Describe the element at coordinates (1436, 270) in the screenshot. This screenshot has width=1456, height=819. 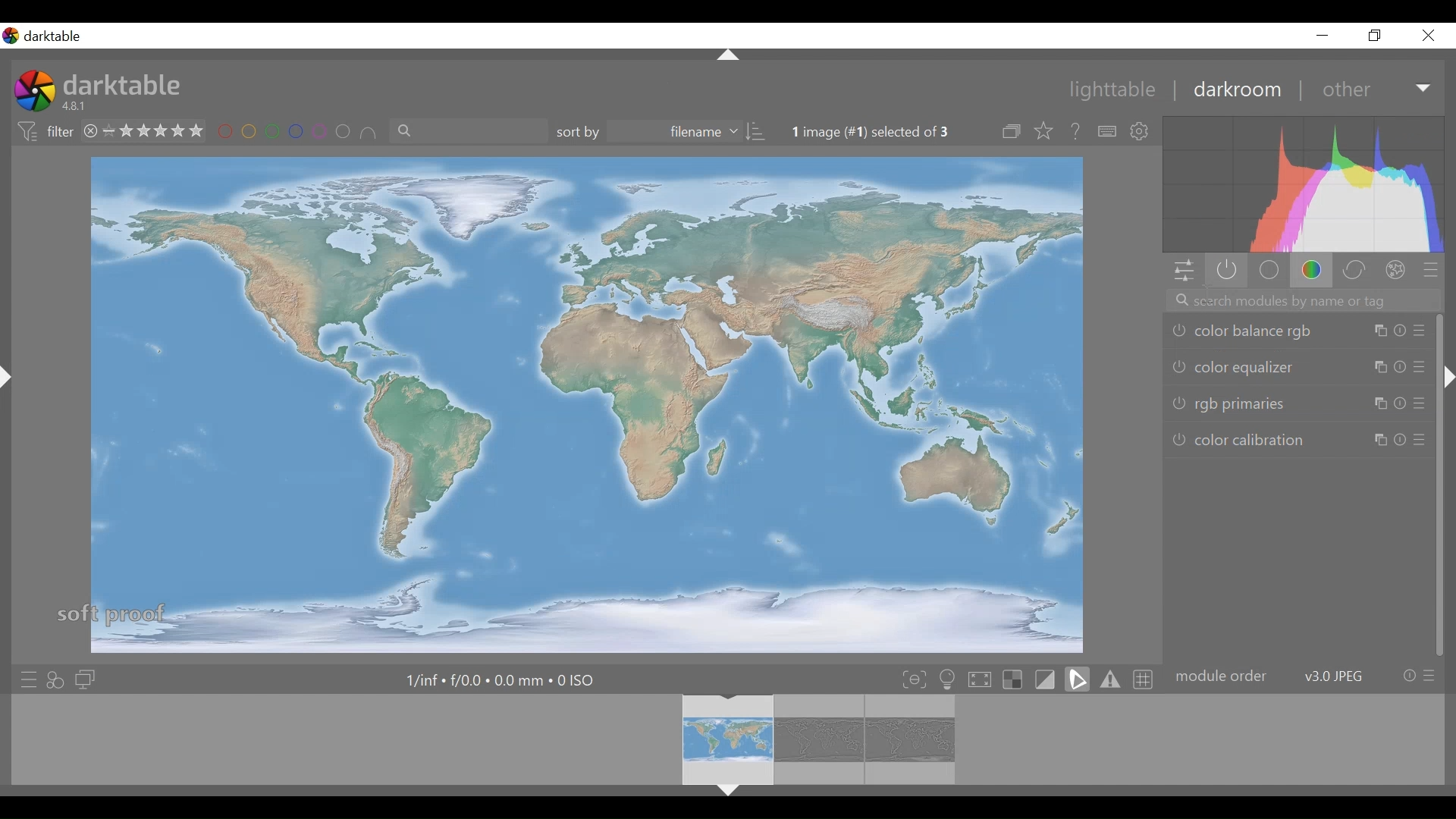
I see `presets` at that location.